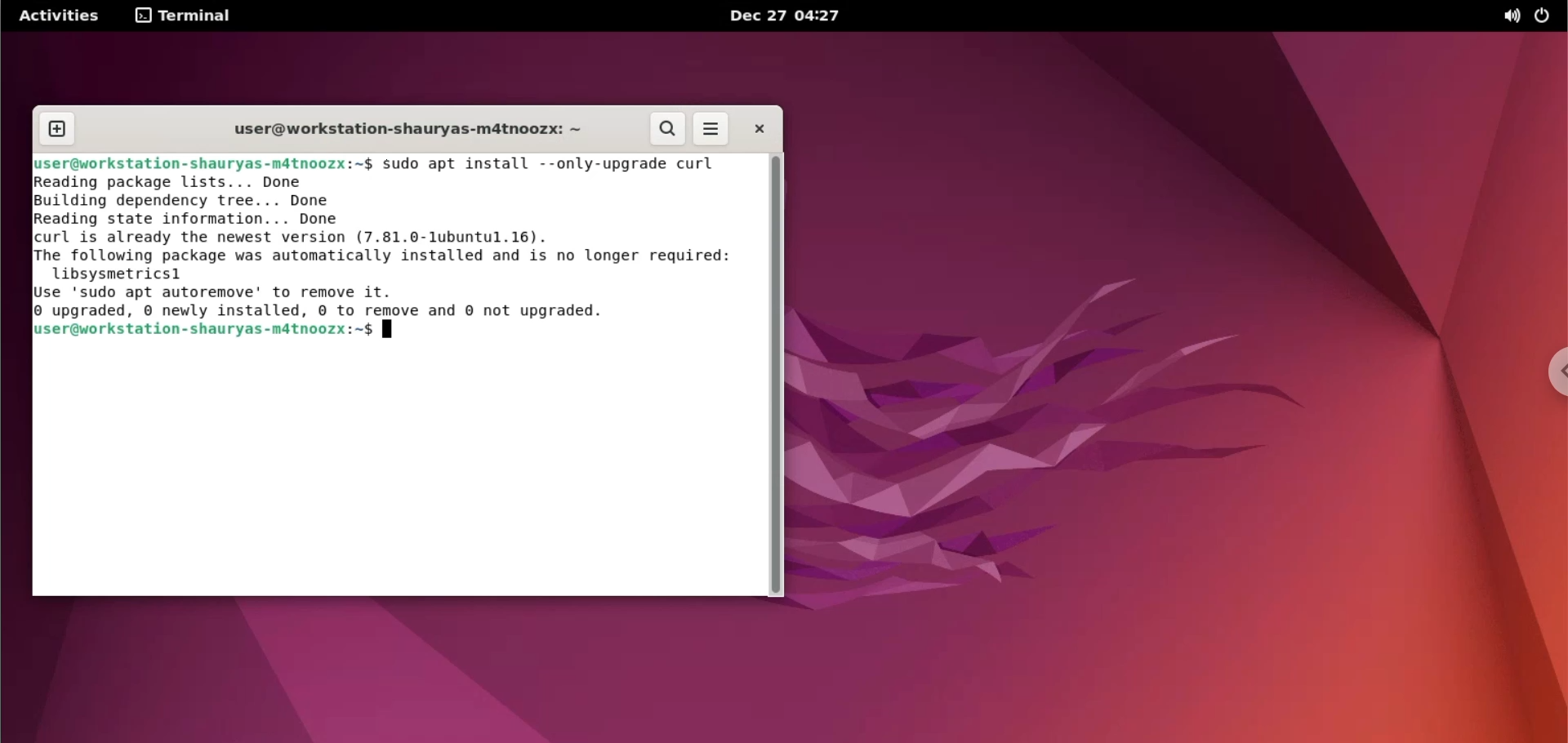  I want to click on Activities, so click(60, 15).